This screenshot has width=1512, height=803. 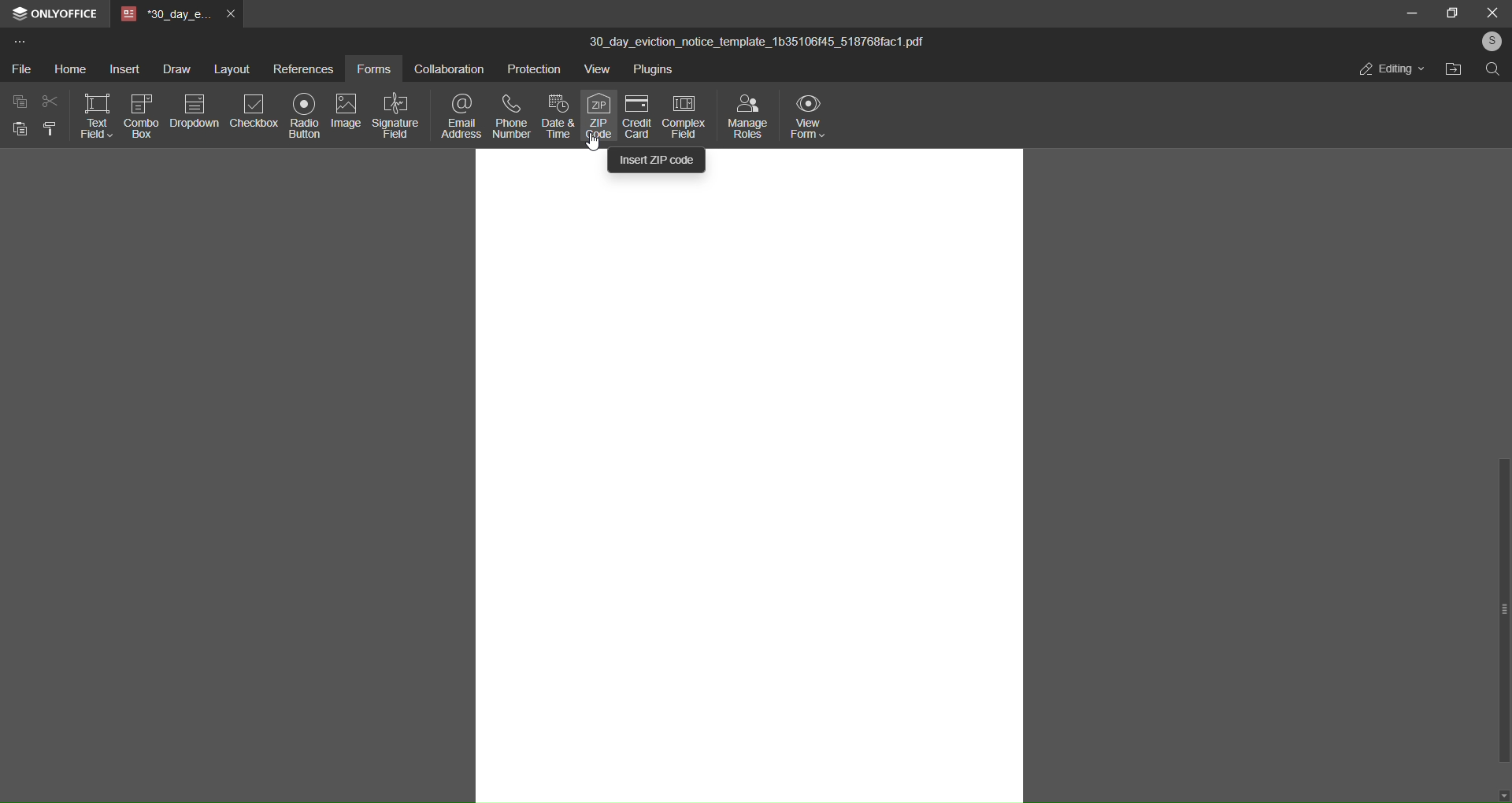 What do you see at coordinates (68, 14) in the screenshot?
I see `onlyoffice` at bounding box center [68, 14].